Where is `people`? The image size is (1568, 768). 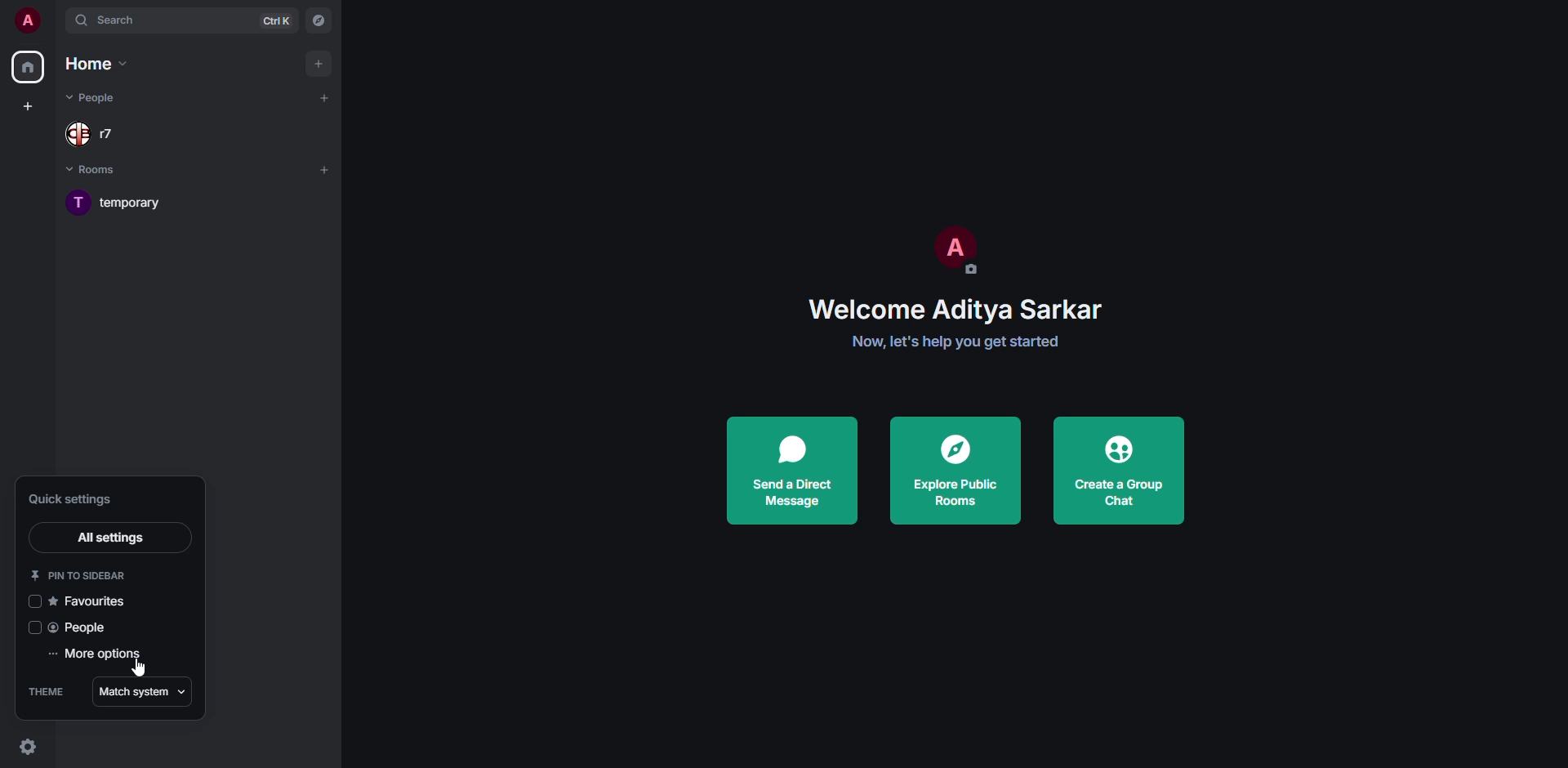
people is located at coordinates (82, 627).